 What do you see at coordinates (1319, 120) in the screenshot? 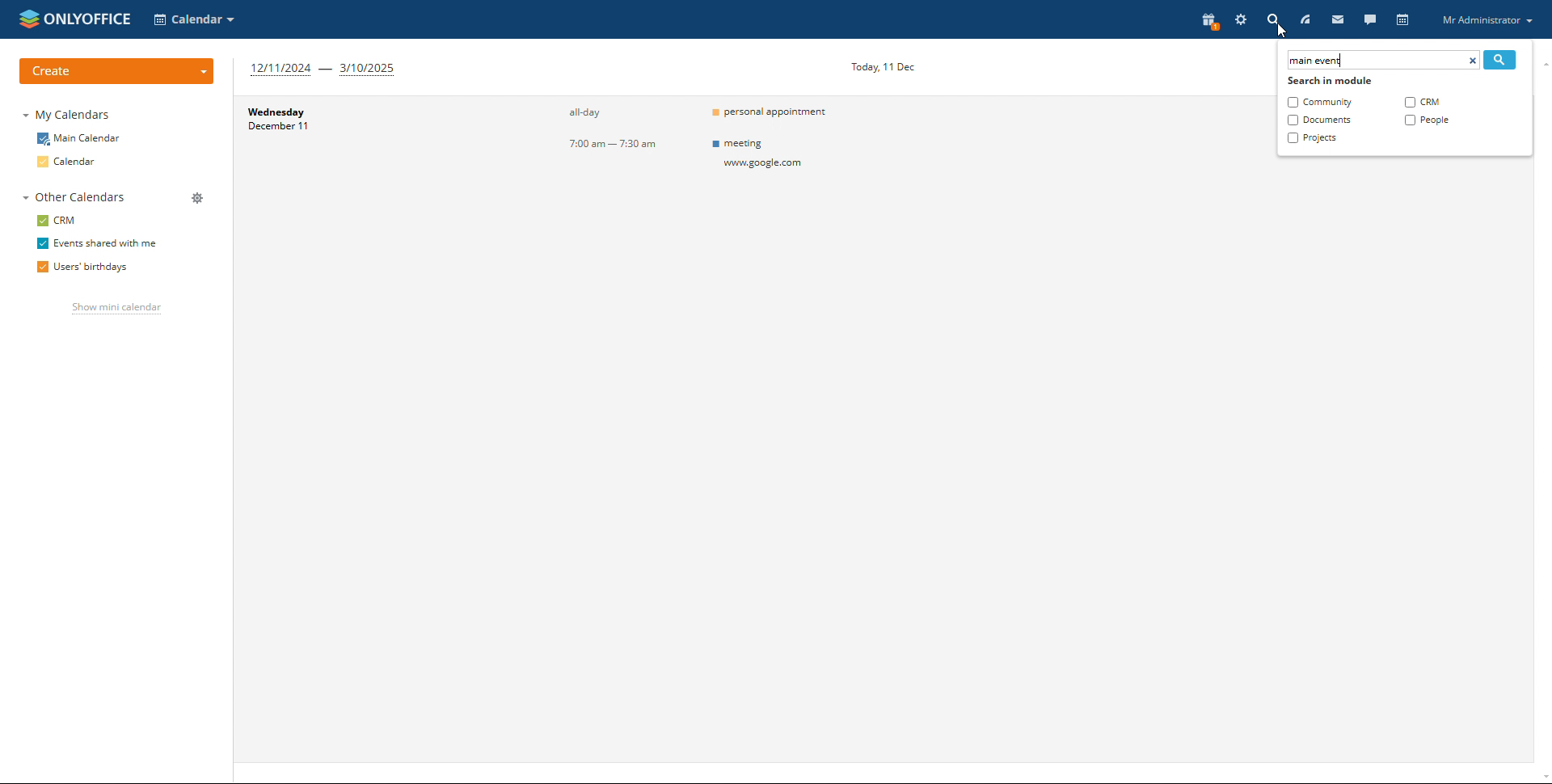
I see `documents` at bounding box center [1319, 120].